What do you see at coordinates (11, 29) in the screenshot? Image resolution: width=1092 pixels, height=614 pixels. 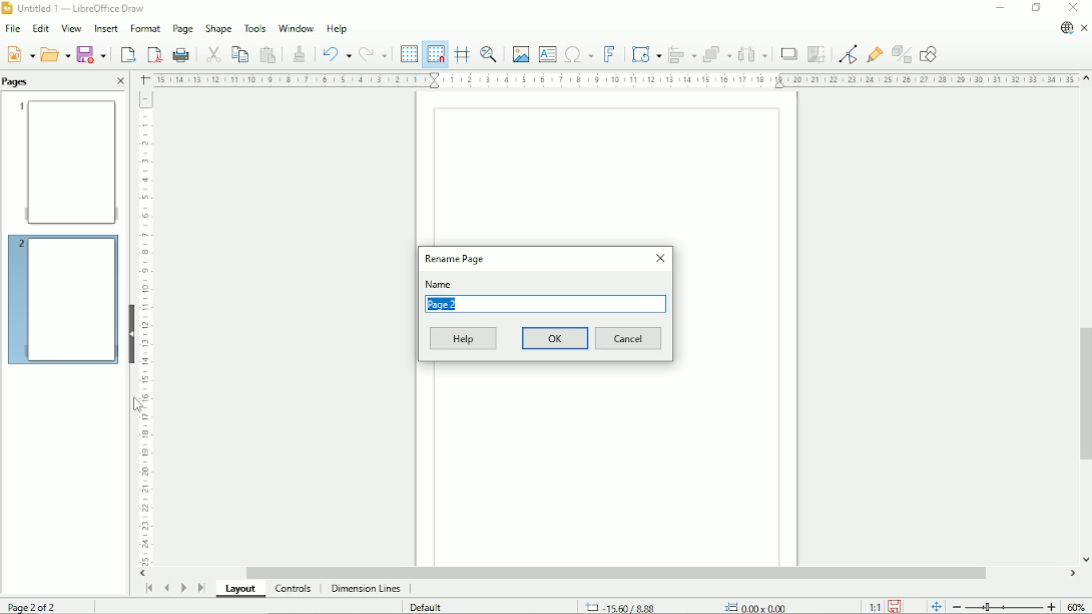 I see `File` at bounding box center [11, 29].